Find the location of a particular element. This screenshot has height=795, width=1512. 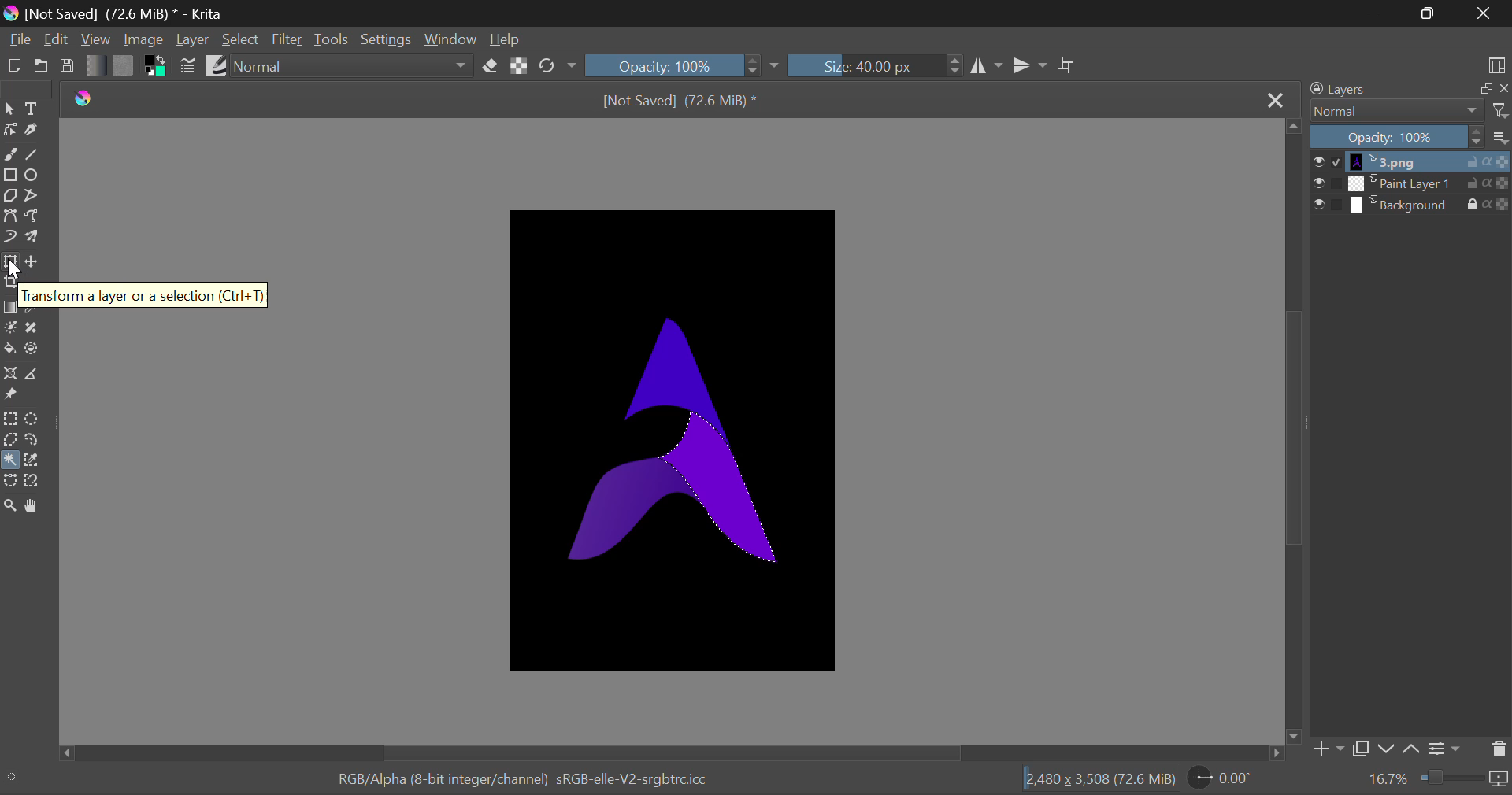

Polygon Selection Tool is located at coordinates (9, 441).